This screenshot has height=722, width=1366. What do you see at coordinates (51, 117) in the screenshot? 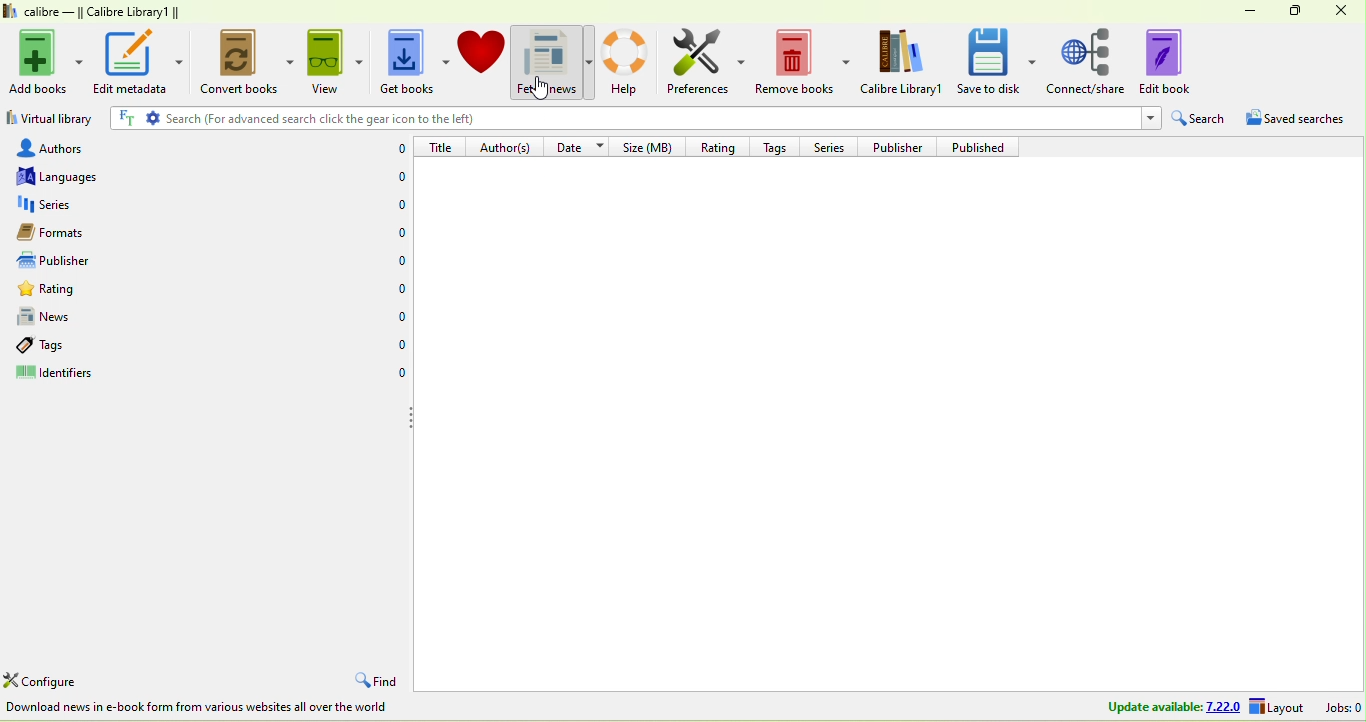
I see `virtual library` at bounding box center [51, 117].